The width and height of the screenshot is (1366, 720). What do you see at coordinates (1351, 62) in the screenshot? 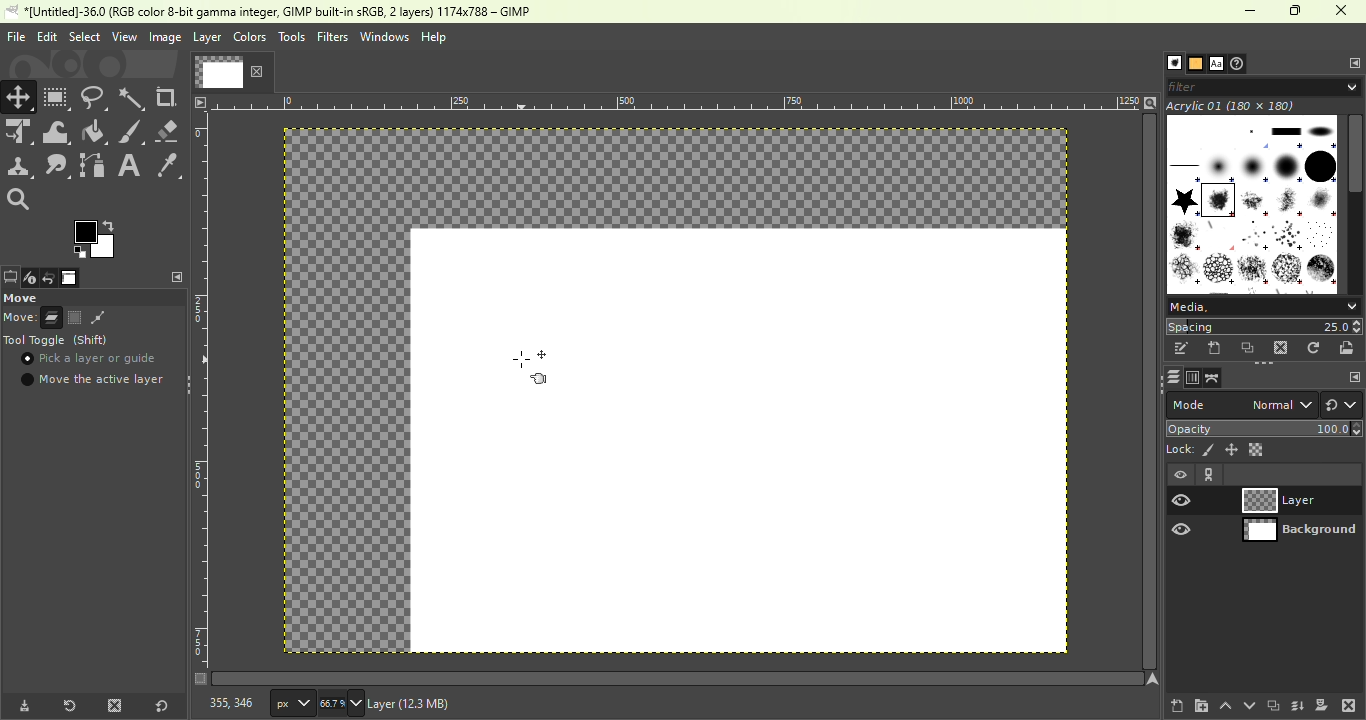
I see `Configure this tab` at bounding box center [1351, 62].